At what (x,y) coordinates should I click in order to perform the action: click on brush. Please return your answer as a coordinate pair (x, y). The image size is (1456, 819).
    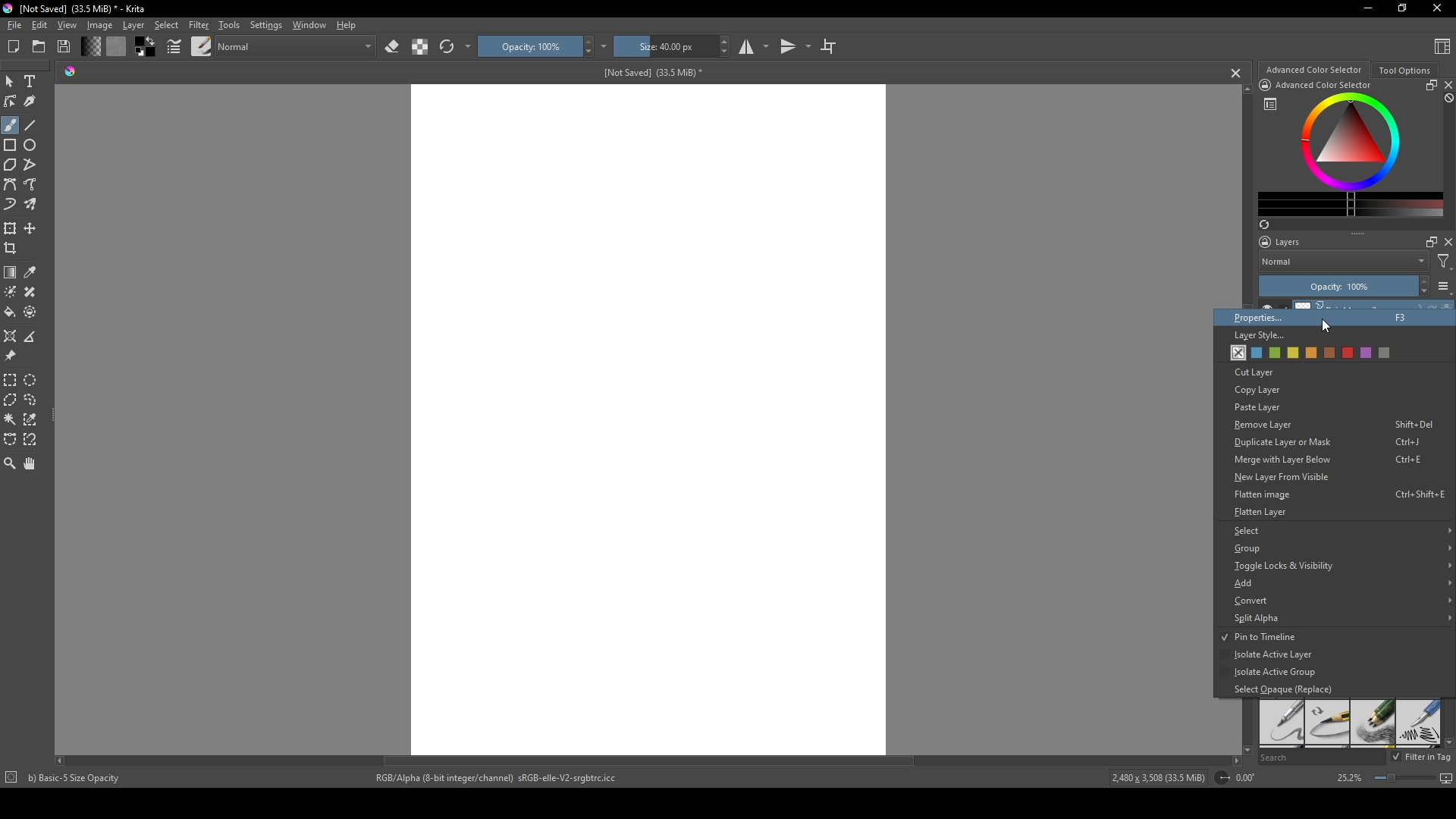
    Looking at the image, I should click on (202, 45).